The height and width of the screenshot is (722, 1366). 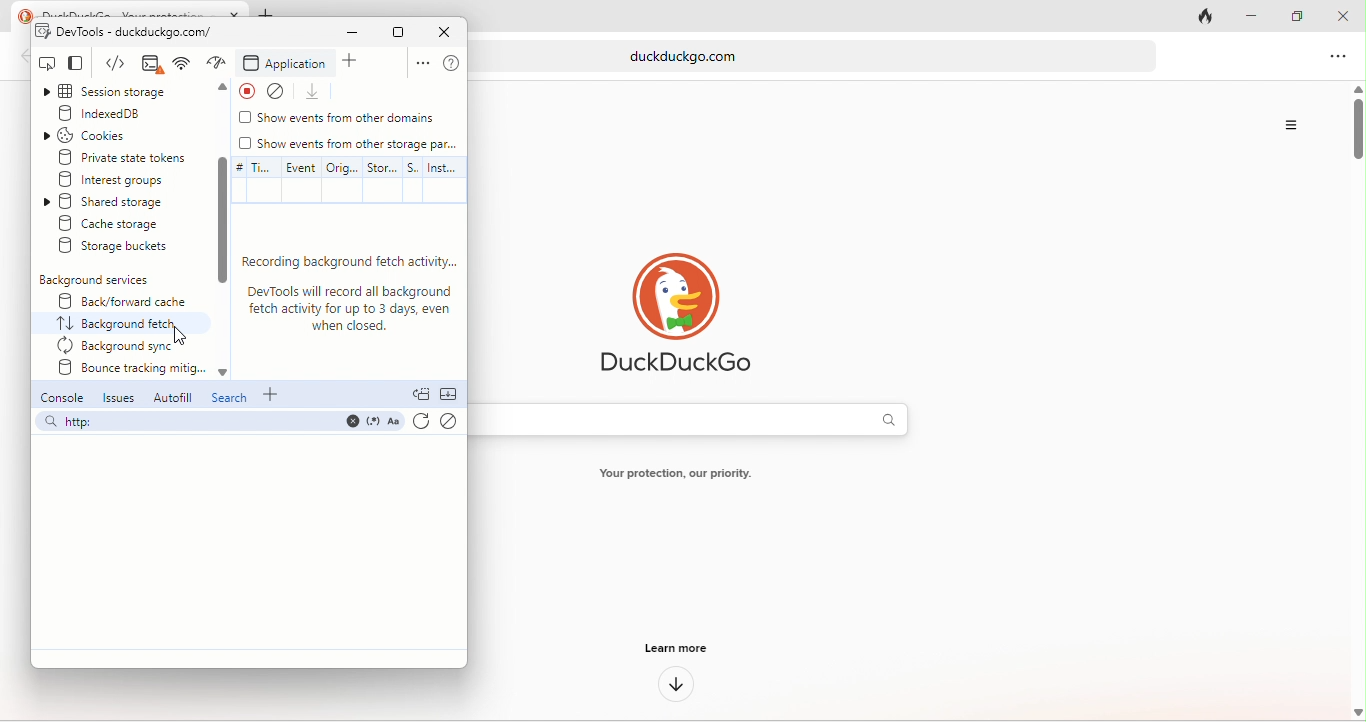 I want to click on origin, so click(x=344, y=179).